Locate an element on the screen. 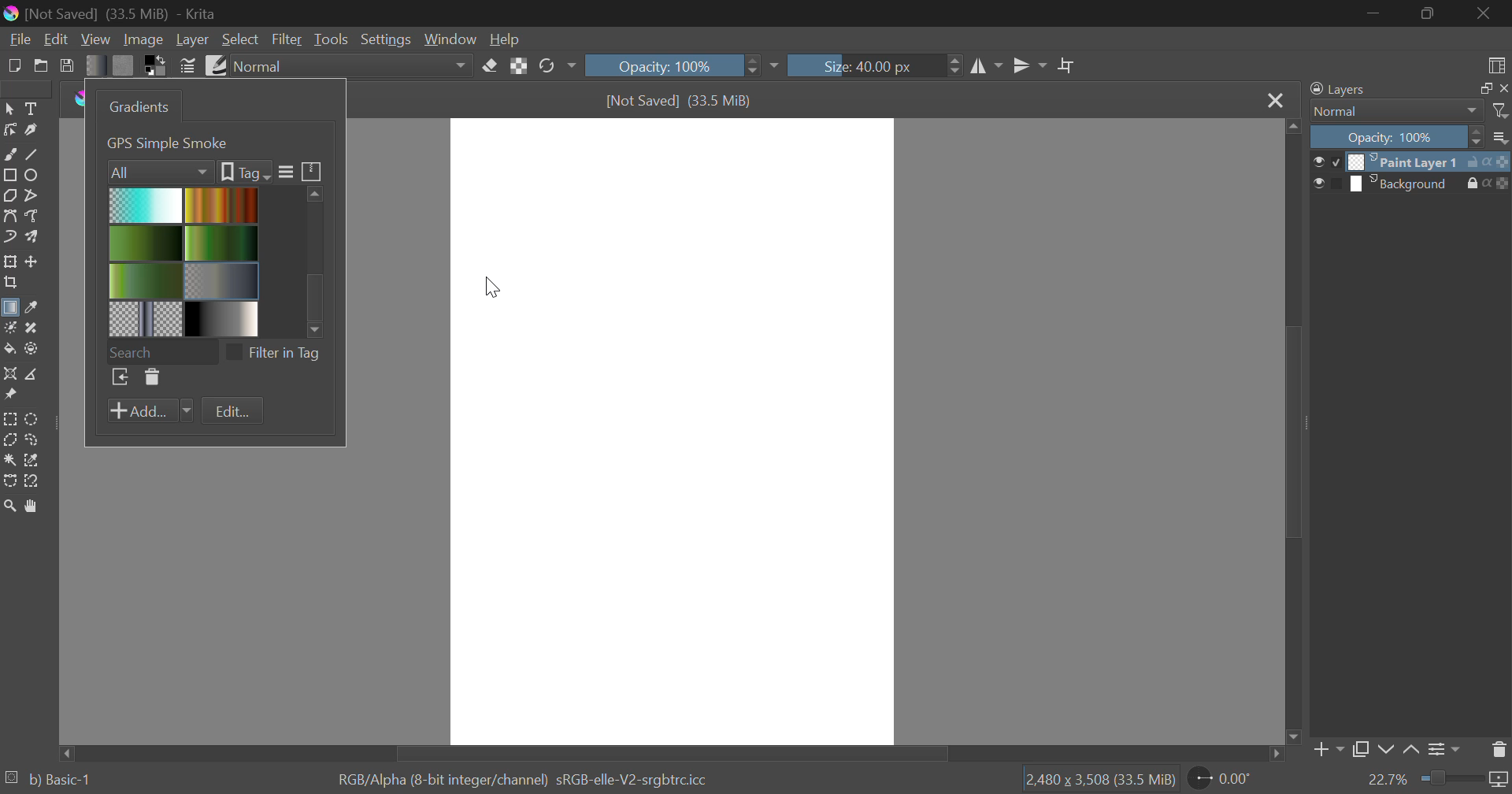 The image size is (1512, 794). close is located at coordinates (1503, 88).